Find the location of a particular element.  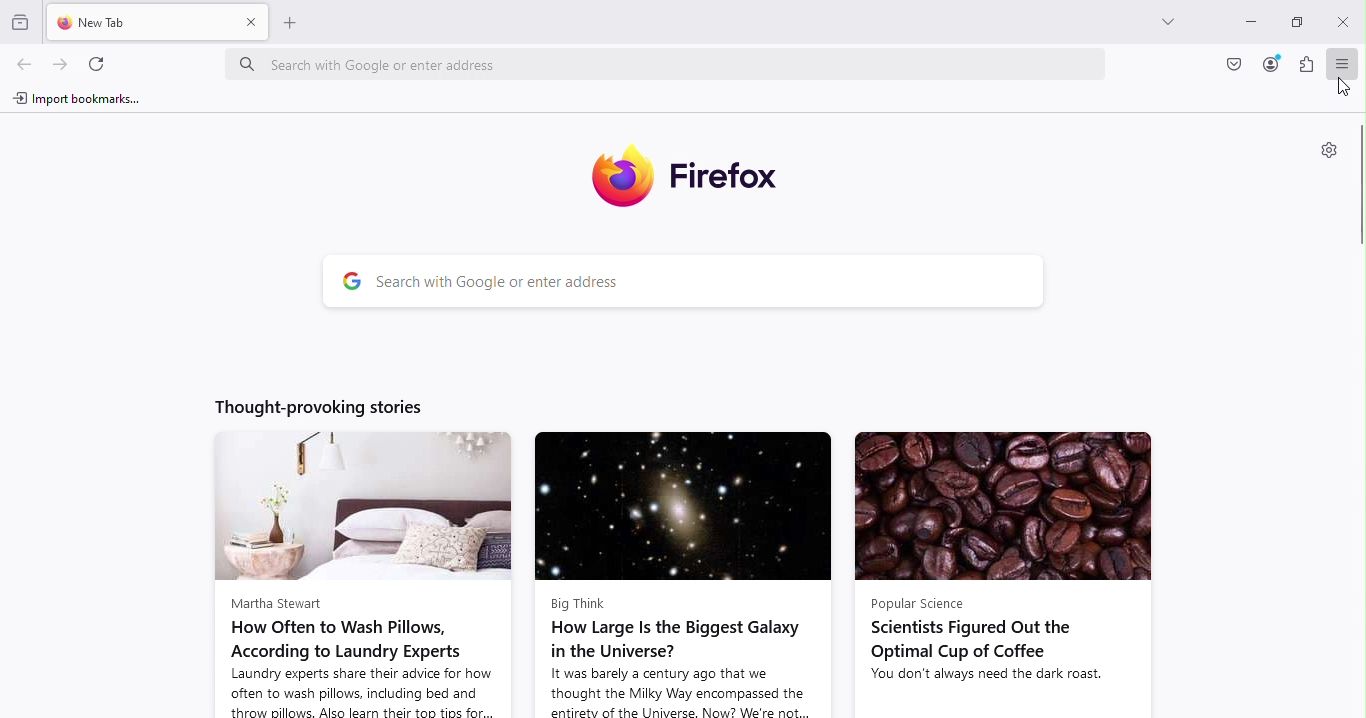

View recent browsing across windows and devices is located at coordinates (23, 22).